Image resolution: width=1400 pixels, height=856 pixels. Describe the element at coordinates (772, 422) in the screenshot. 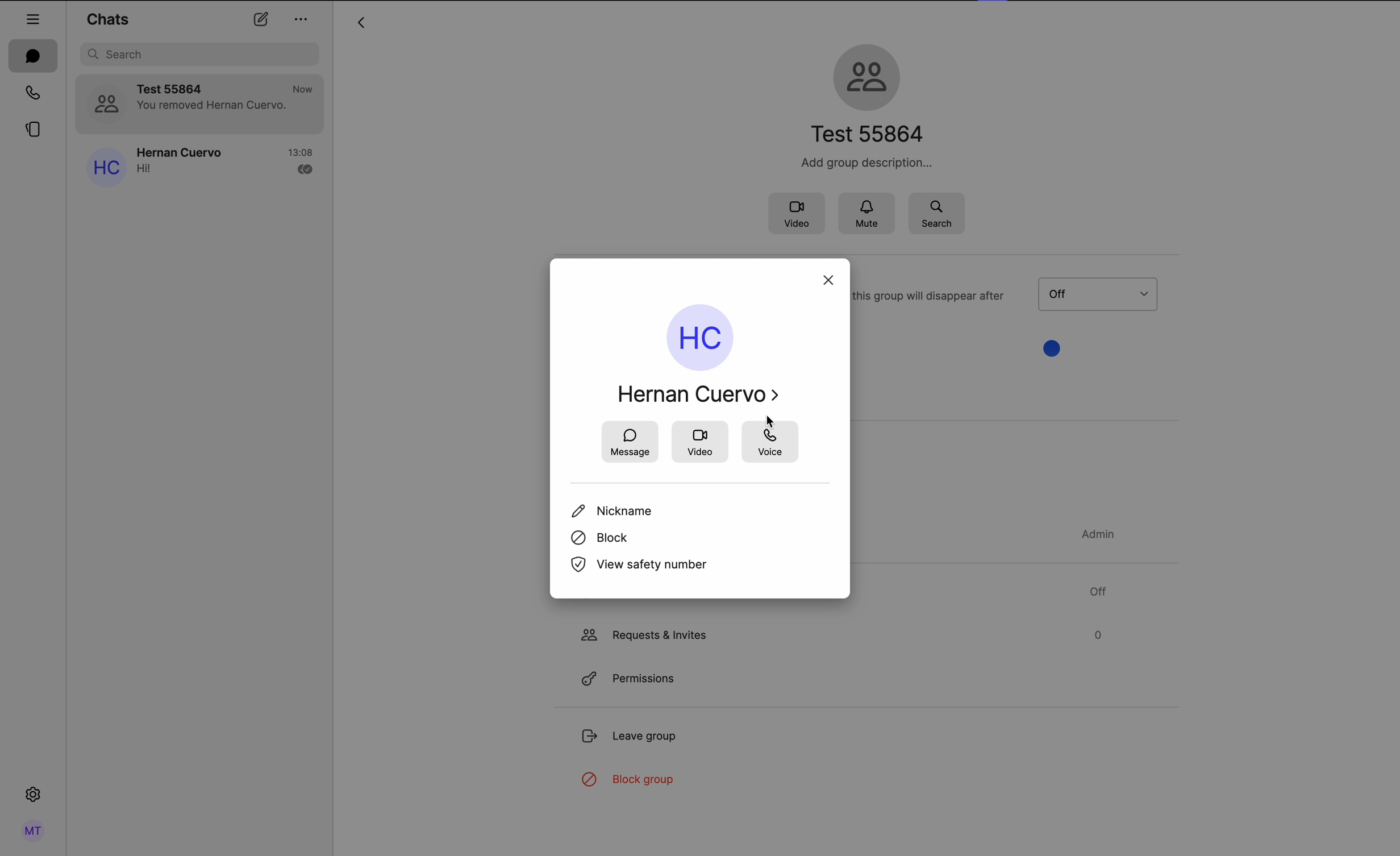

I see `cursor` at that location.